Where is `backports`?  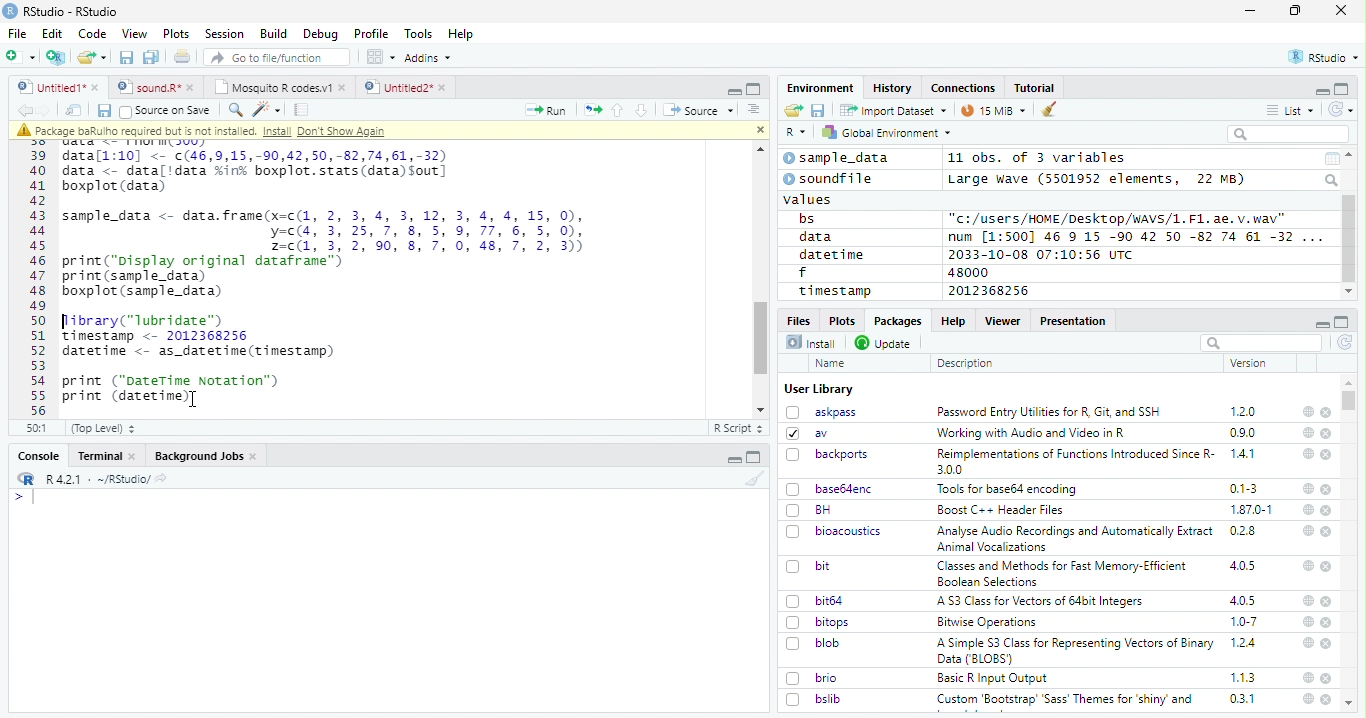
backports is located at coordinates (830, 455).